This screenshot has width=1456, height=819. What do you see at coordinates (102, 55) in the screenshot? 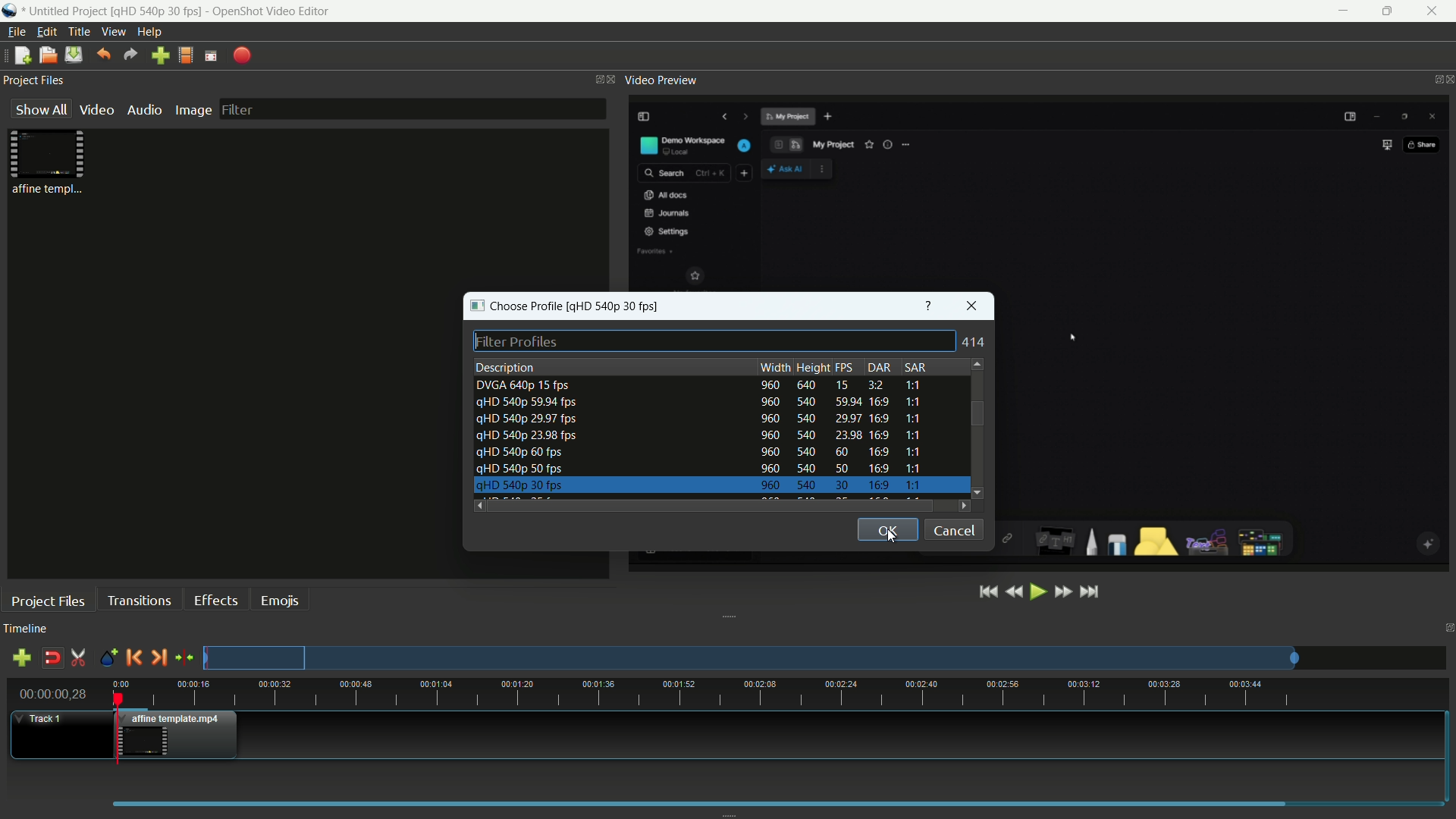
I see `undo` at bounding box center [102, 55].